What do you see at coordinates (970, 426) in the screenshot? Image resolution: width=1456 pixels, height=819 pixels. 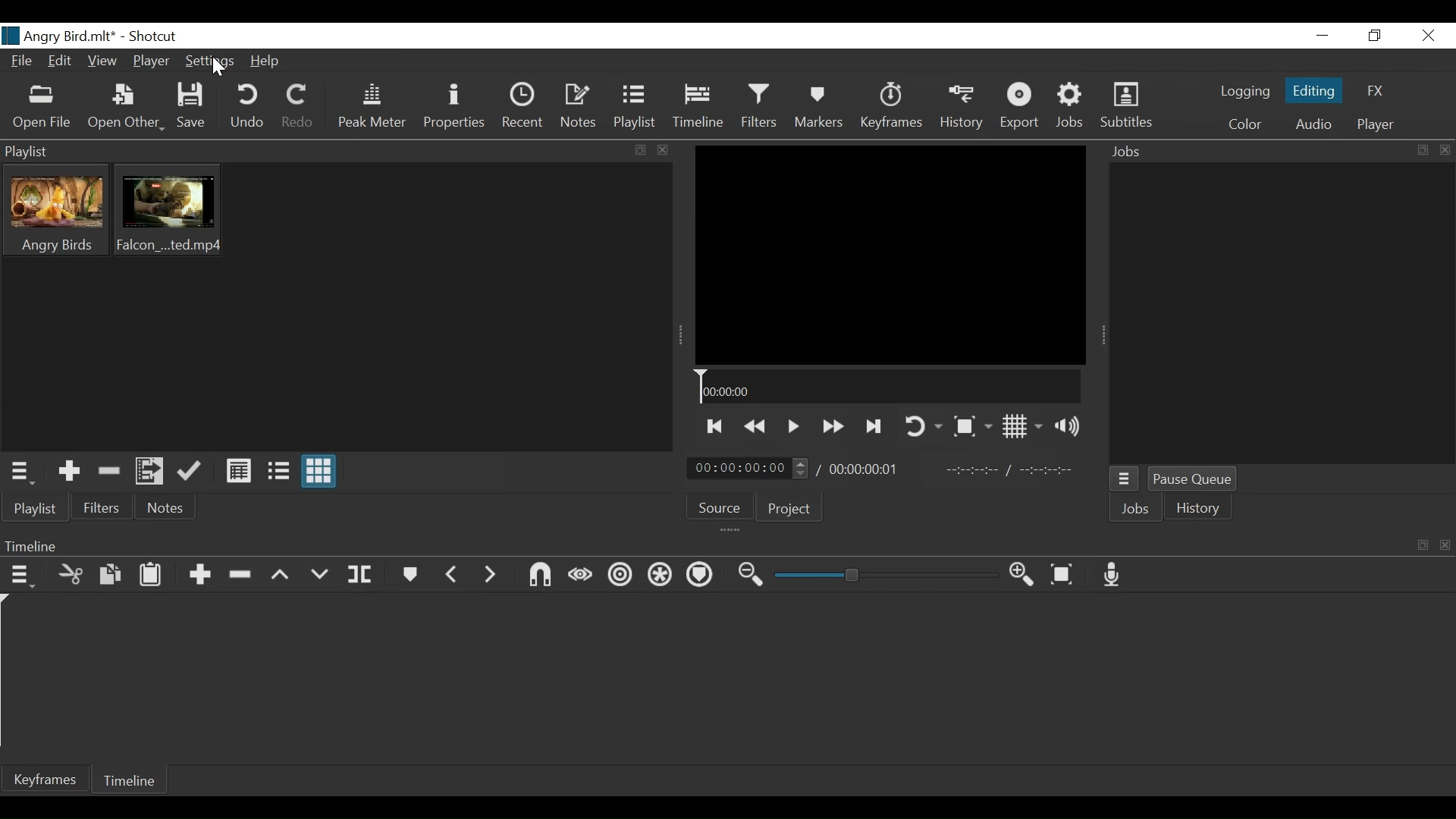 I see `Toggle Zoom` at bounding box center [970, 426].